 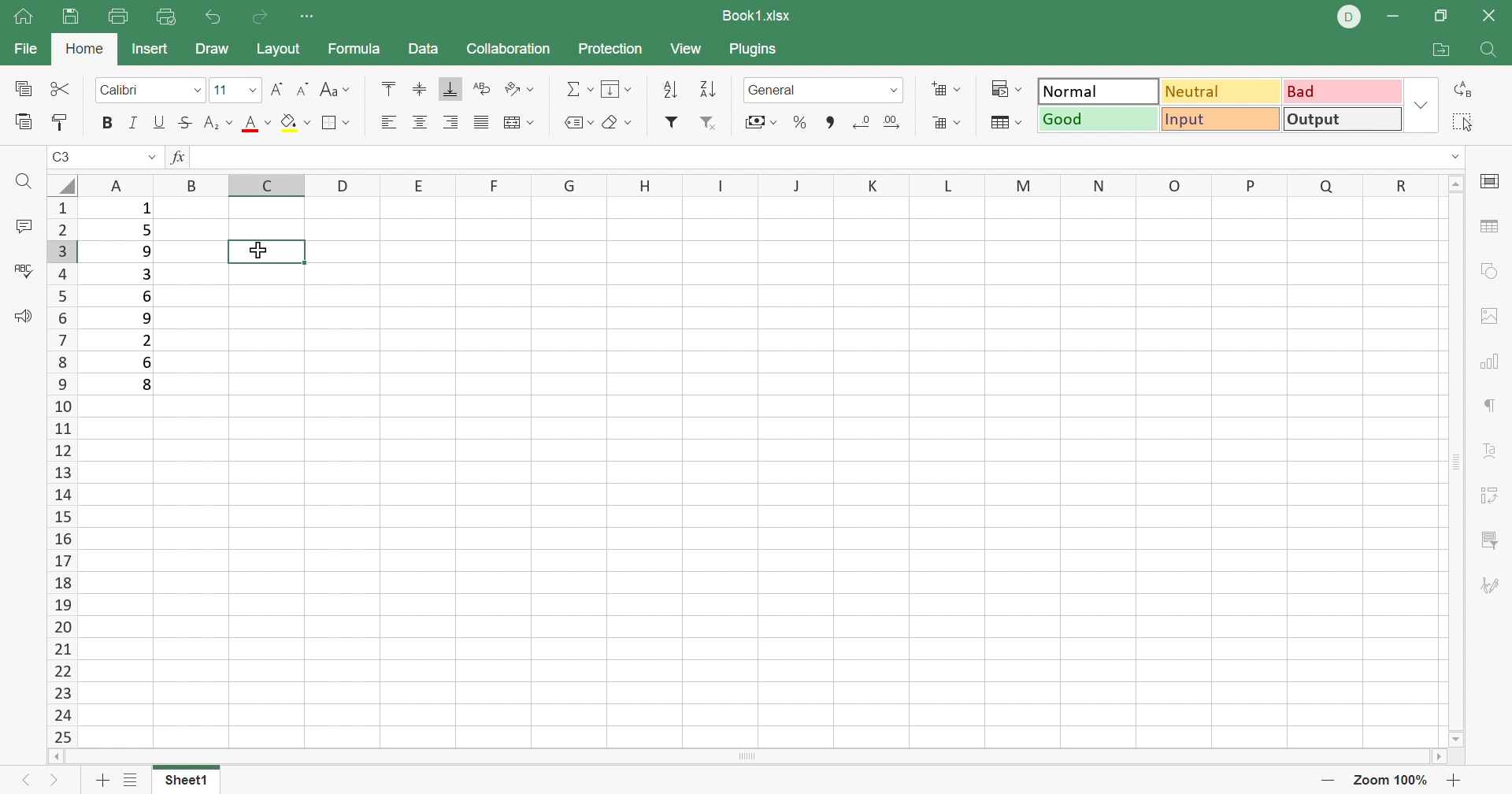 I want to click on Insert, so click(x=149, y=49).